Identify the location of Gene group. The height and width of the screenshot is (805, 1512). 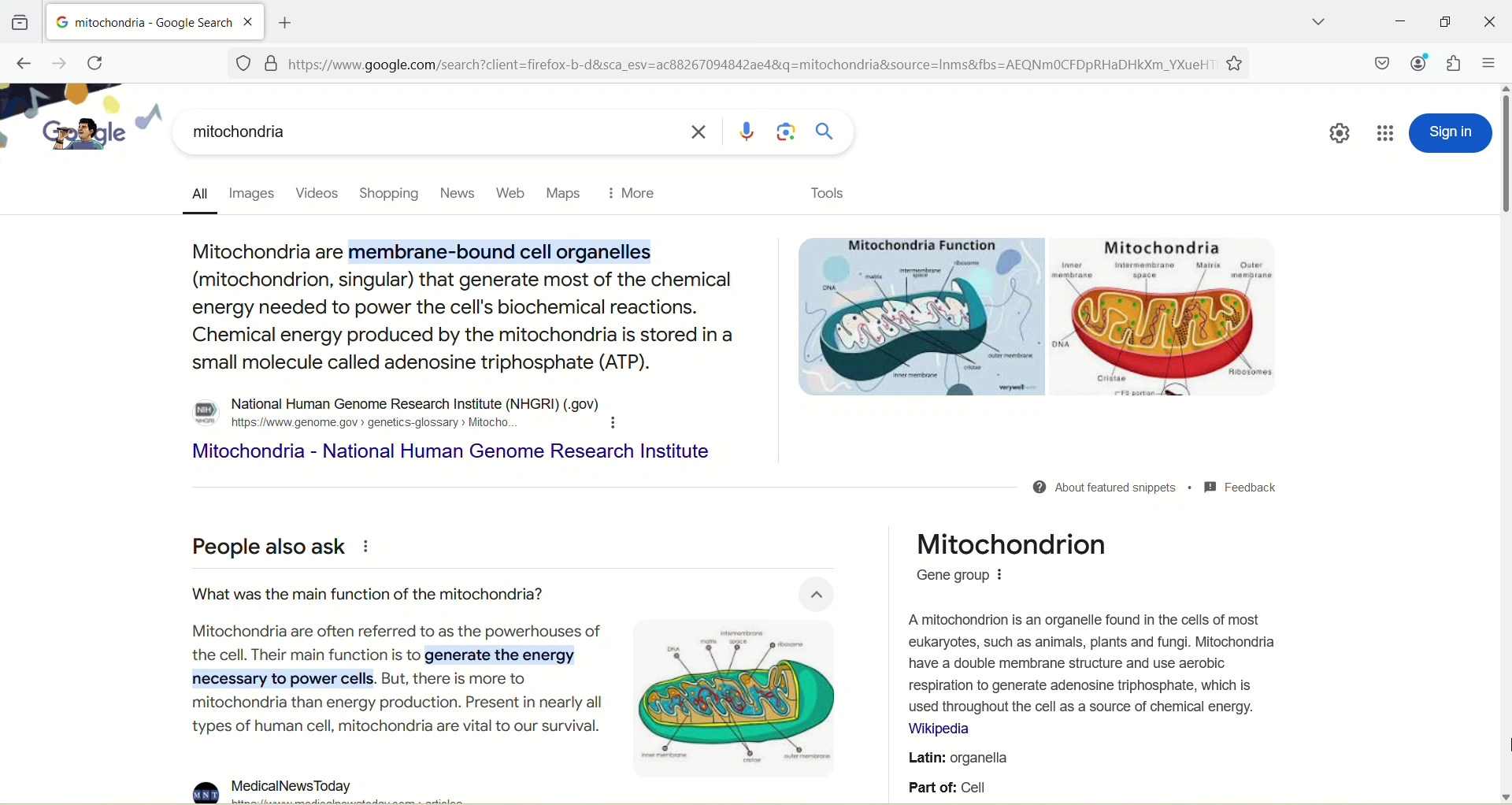
(947, 575).